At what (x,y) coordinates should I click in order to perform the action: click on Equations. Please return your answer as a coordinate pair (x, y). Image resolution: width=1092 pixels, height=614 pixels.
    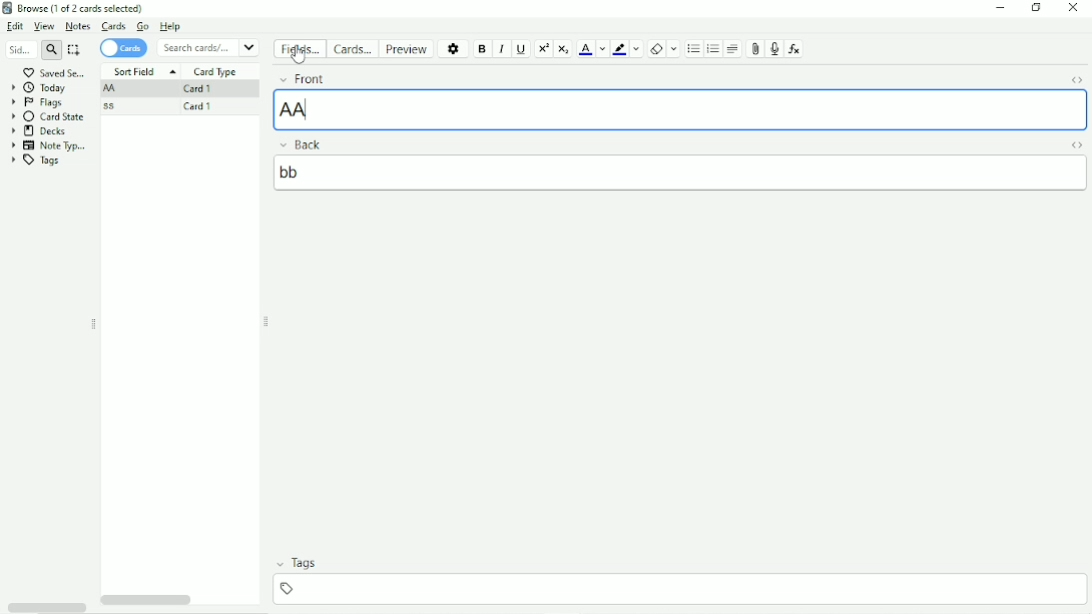
    Looking at the image, I should click on (794, 48).